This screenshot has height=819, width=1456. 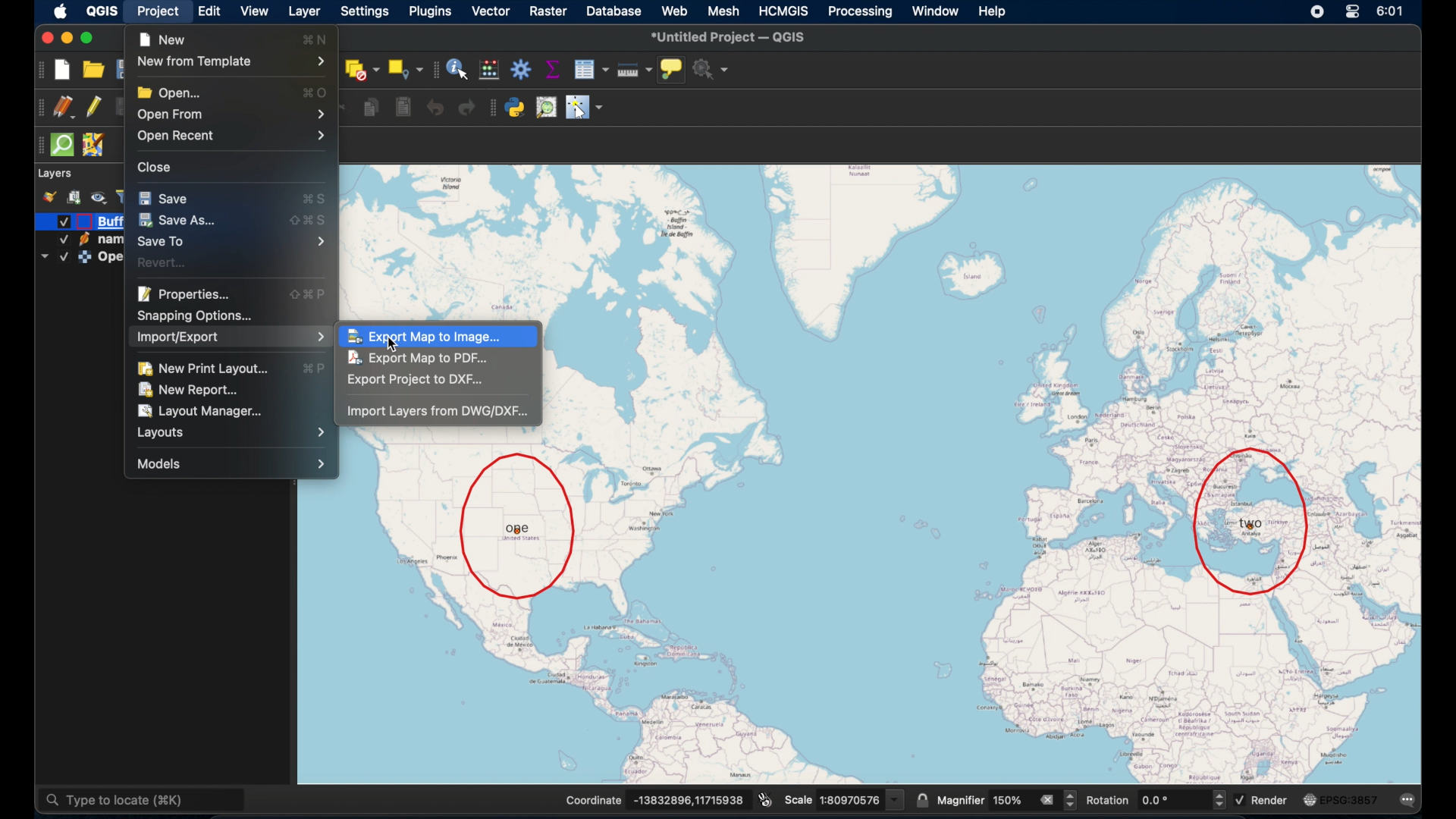 What do you see at coordinates (65, 108) in the screenshot?
I see `current edits` at bounding box center [65, 108].